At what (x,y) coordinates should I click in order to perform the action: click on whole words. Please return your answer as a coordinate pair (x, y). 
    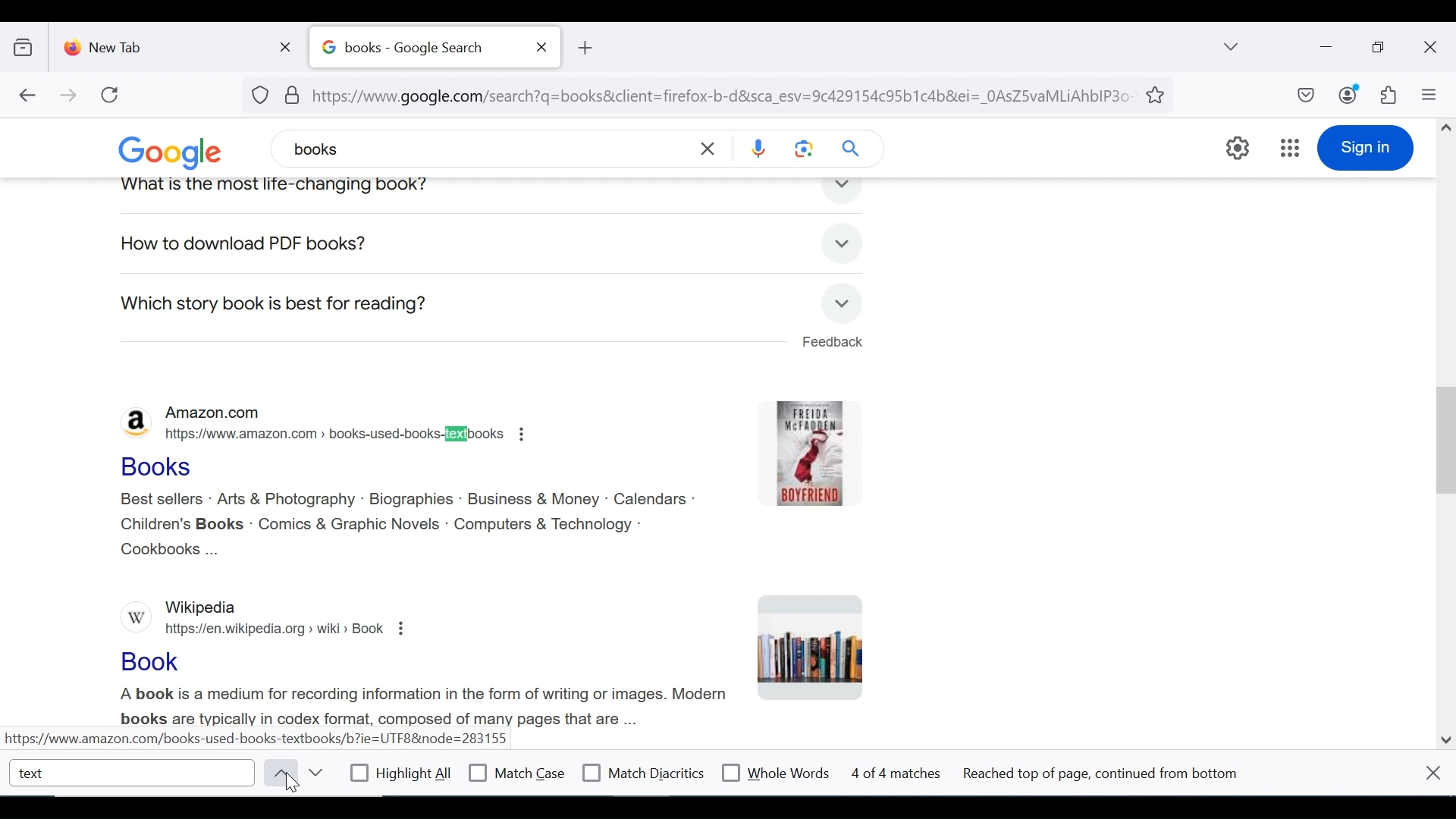
    Looking at the image, I should click on (775, 771).